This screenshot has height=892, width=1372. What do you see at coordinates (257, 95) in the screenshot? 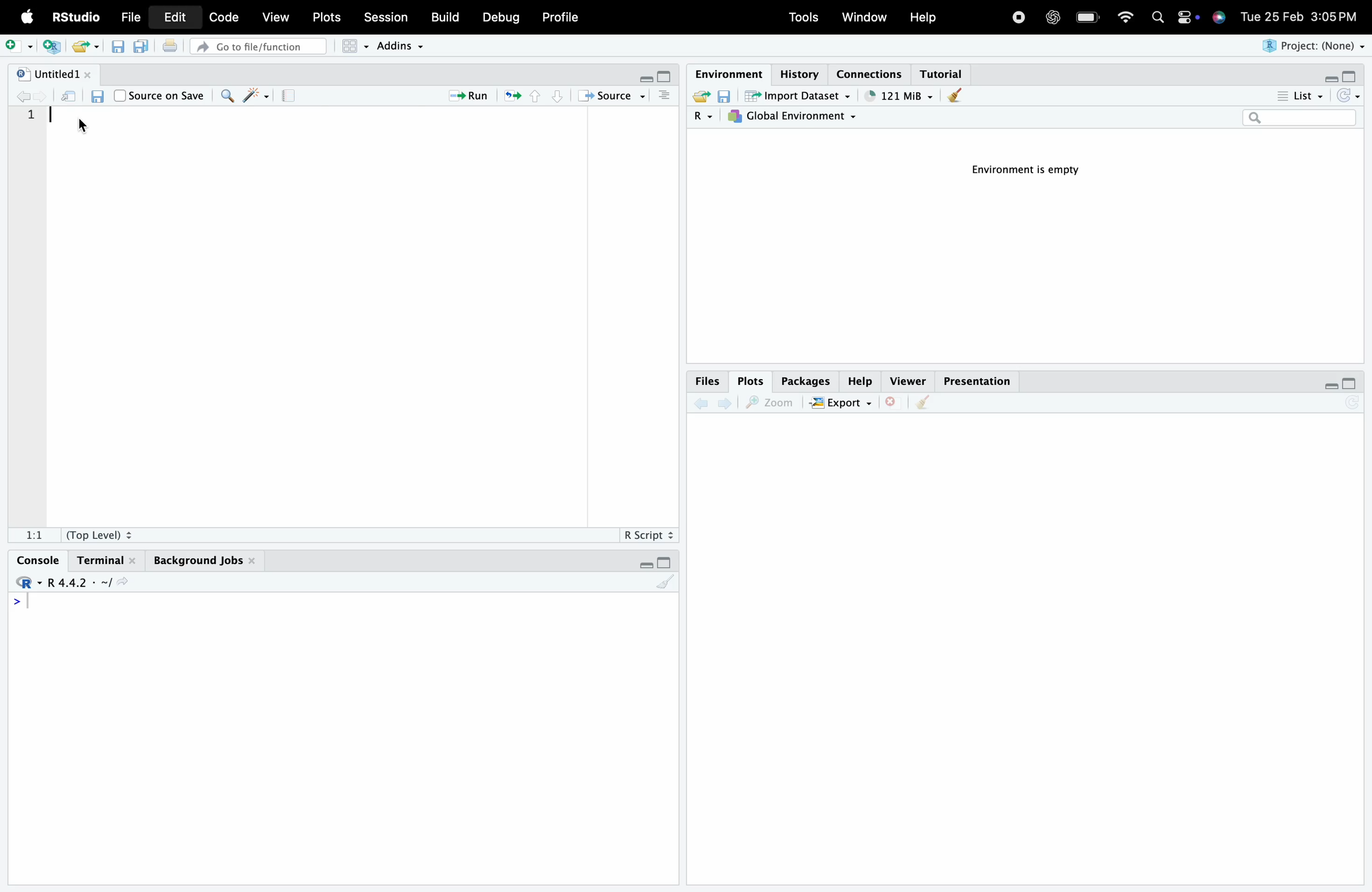
I see `Code Tools` at bounding box center [257, 95].